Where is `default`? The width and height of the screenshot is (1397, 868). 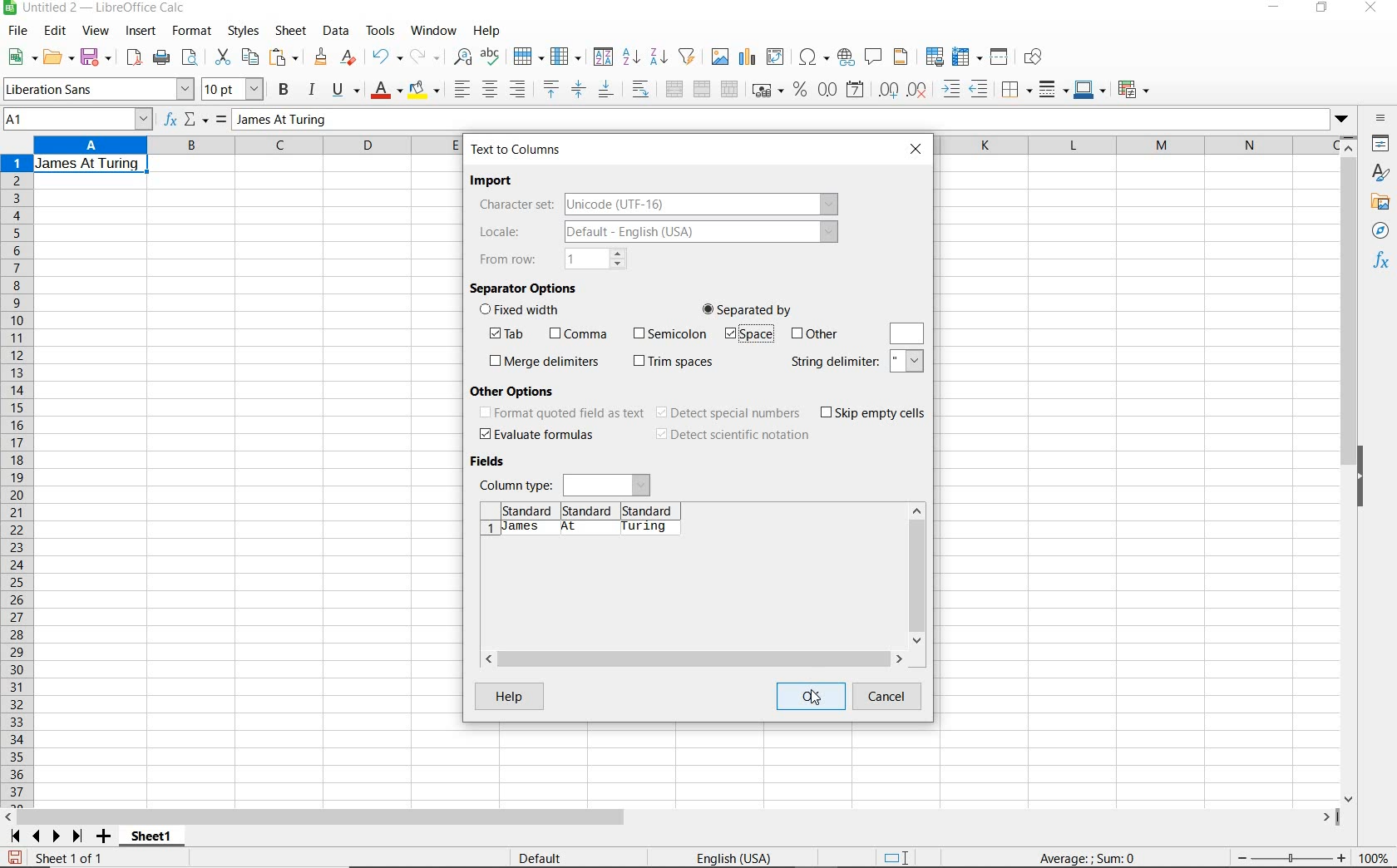 default is located at coordinates (540, 857).